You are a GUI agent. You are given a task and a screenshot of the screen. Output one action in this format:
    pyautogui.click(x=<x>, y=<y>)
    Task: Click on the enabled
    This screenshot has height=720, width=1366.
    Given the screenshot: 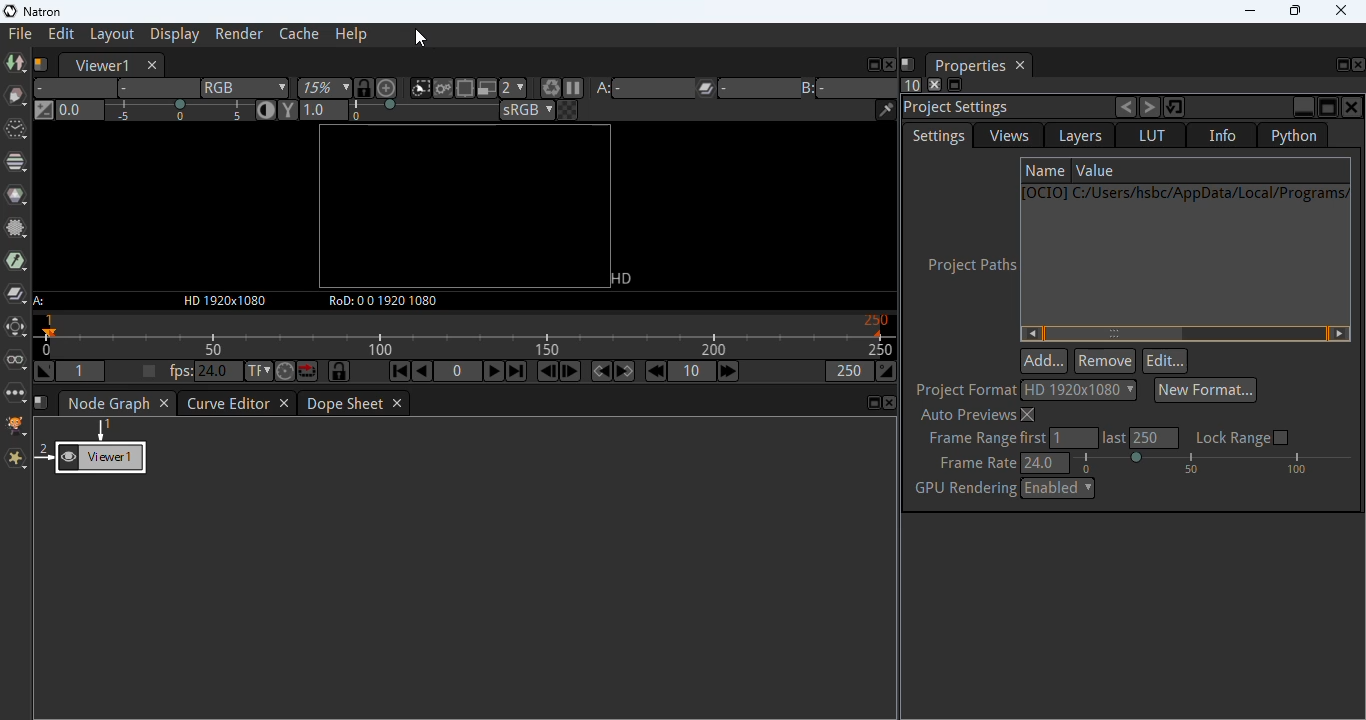 What is the action you would take?
    pyautogui.click(x=1061, y=489)
    